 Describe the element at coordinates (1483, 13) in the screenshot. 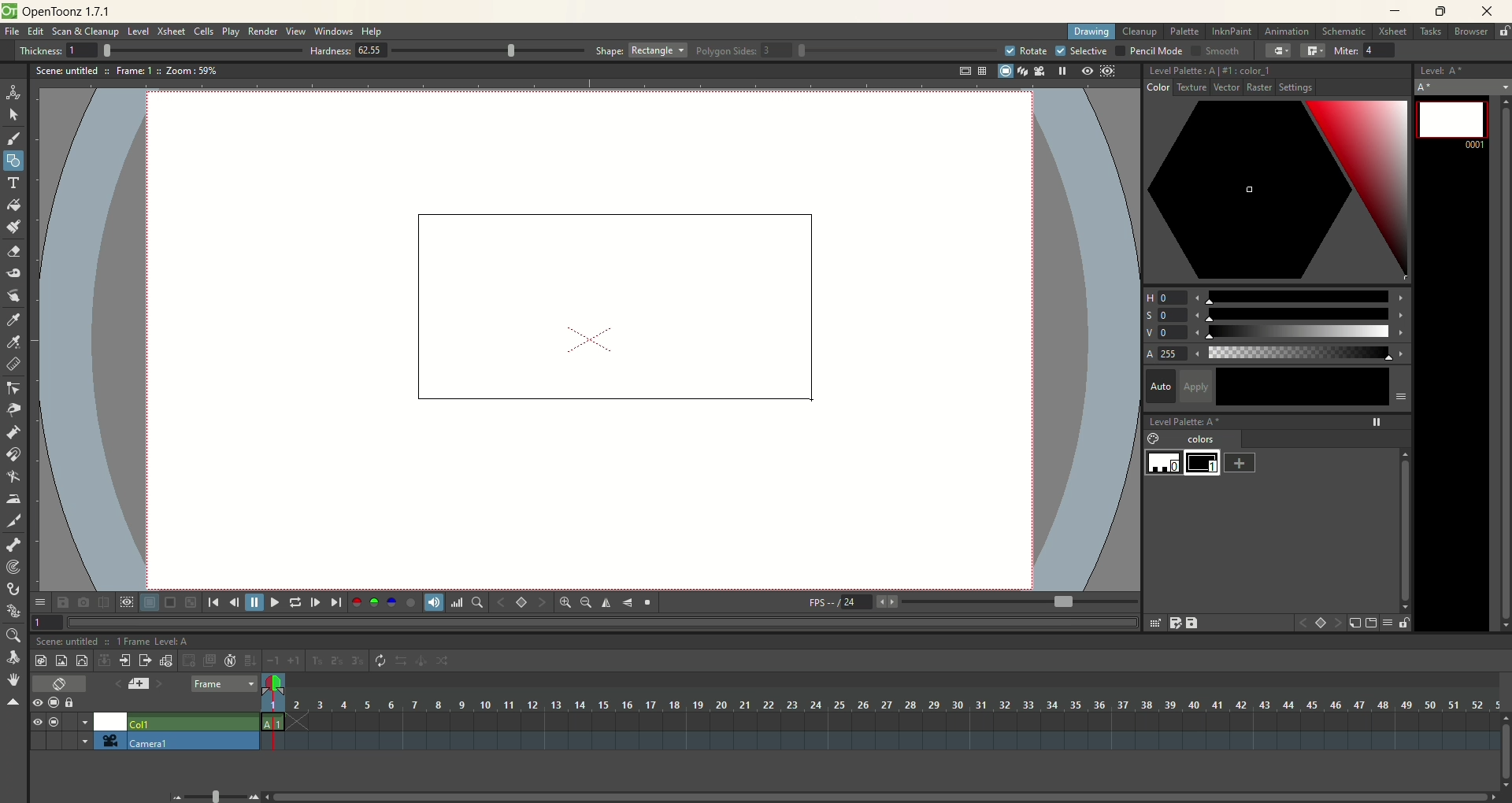

I see `close` at that location.